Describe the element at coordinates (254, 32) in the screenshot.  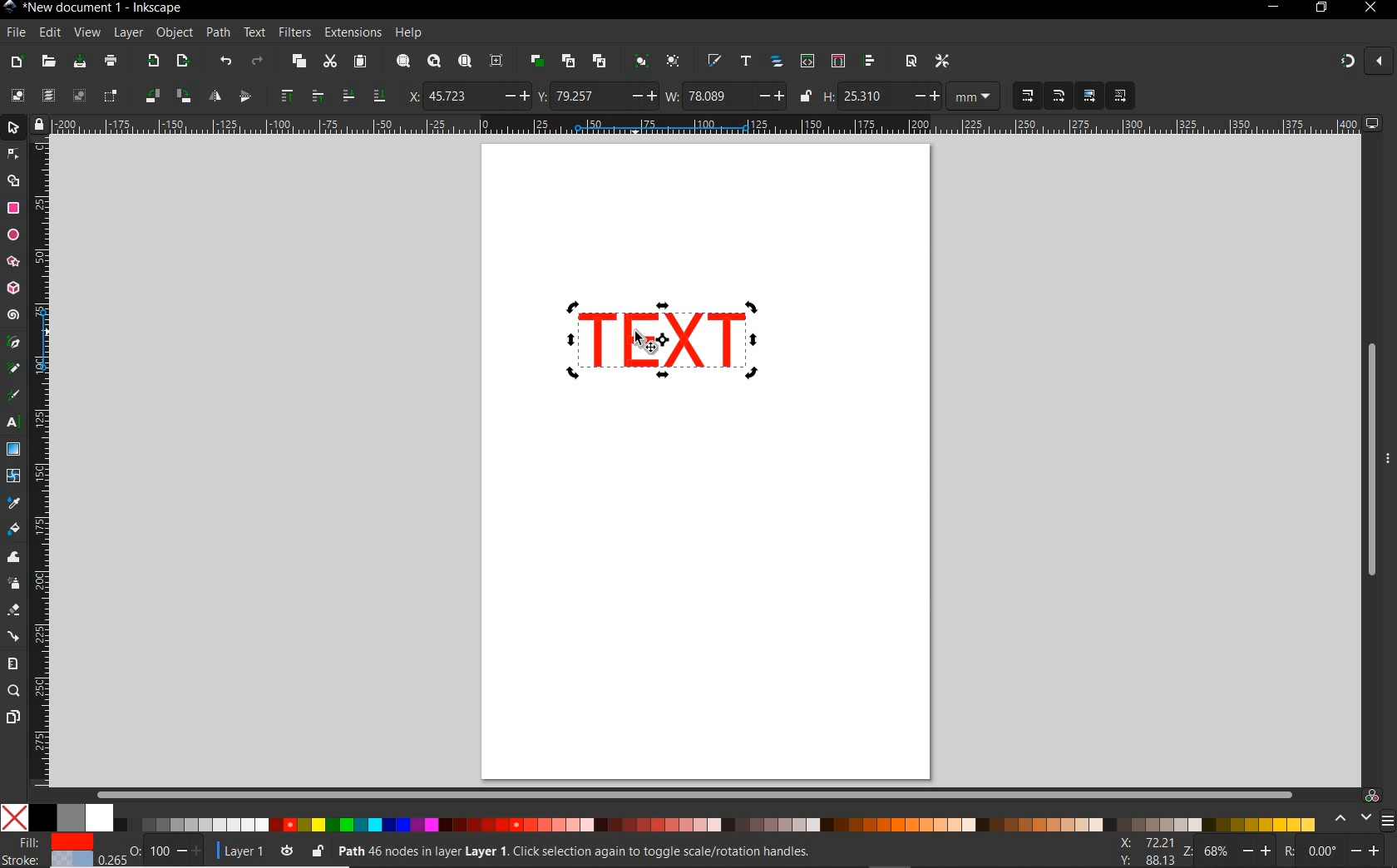
I see `TEXT` at that location.